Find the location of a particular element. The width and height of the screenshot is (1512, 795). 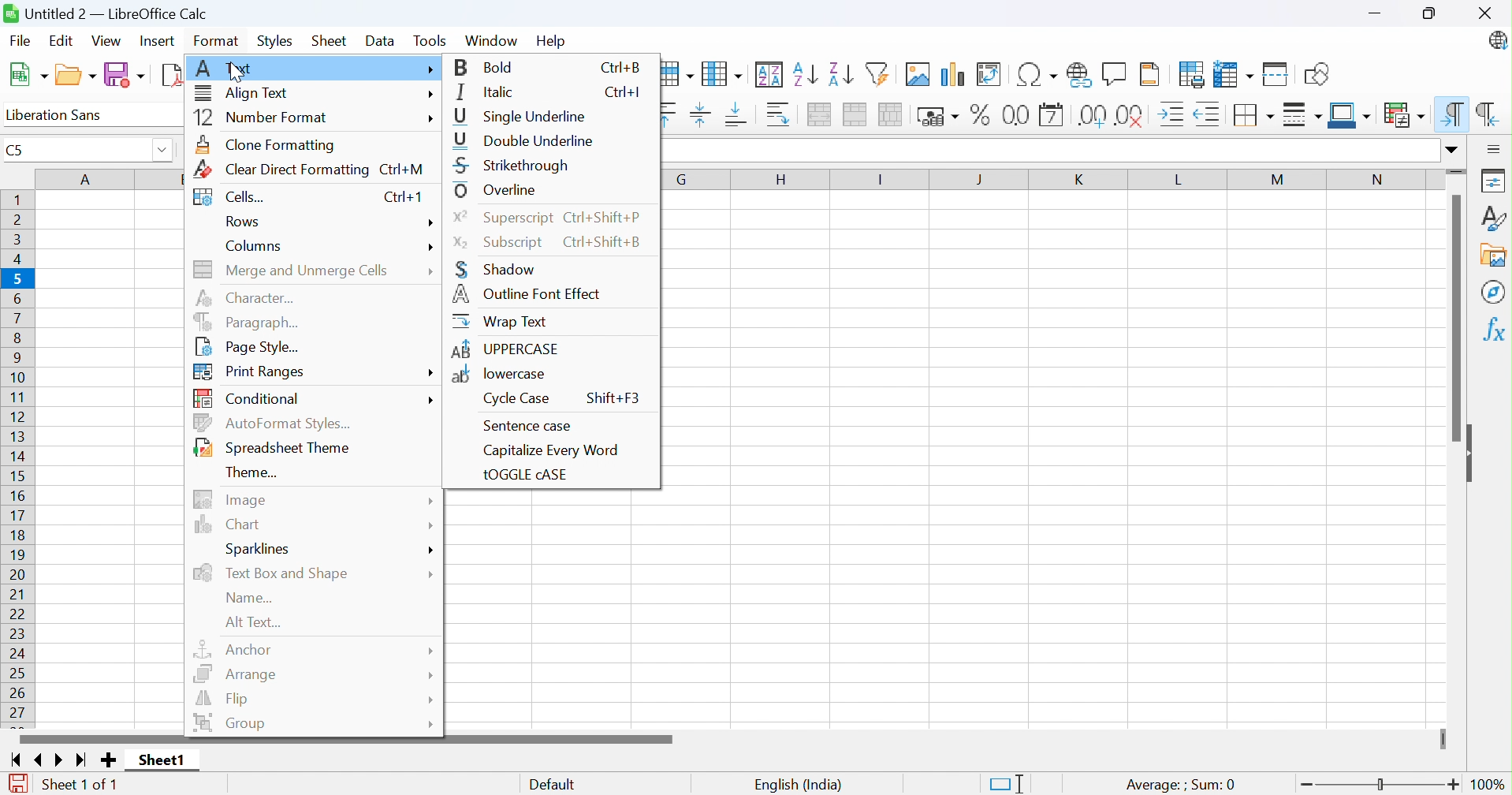

Scroll to first sheet is located at coordinates (20, 762).